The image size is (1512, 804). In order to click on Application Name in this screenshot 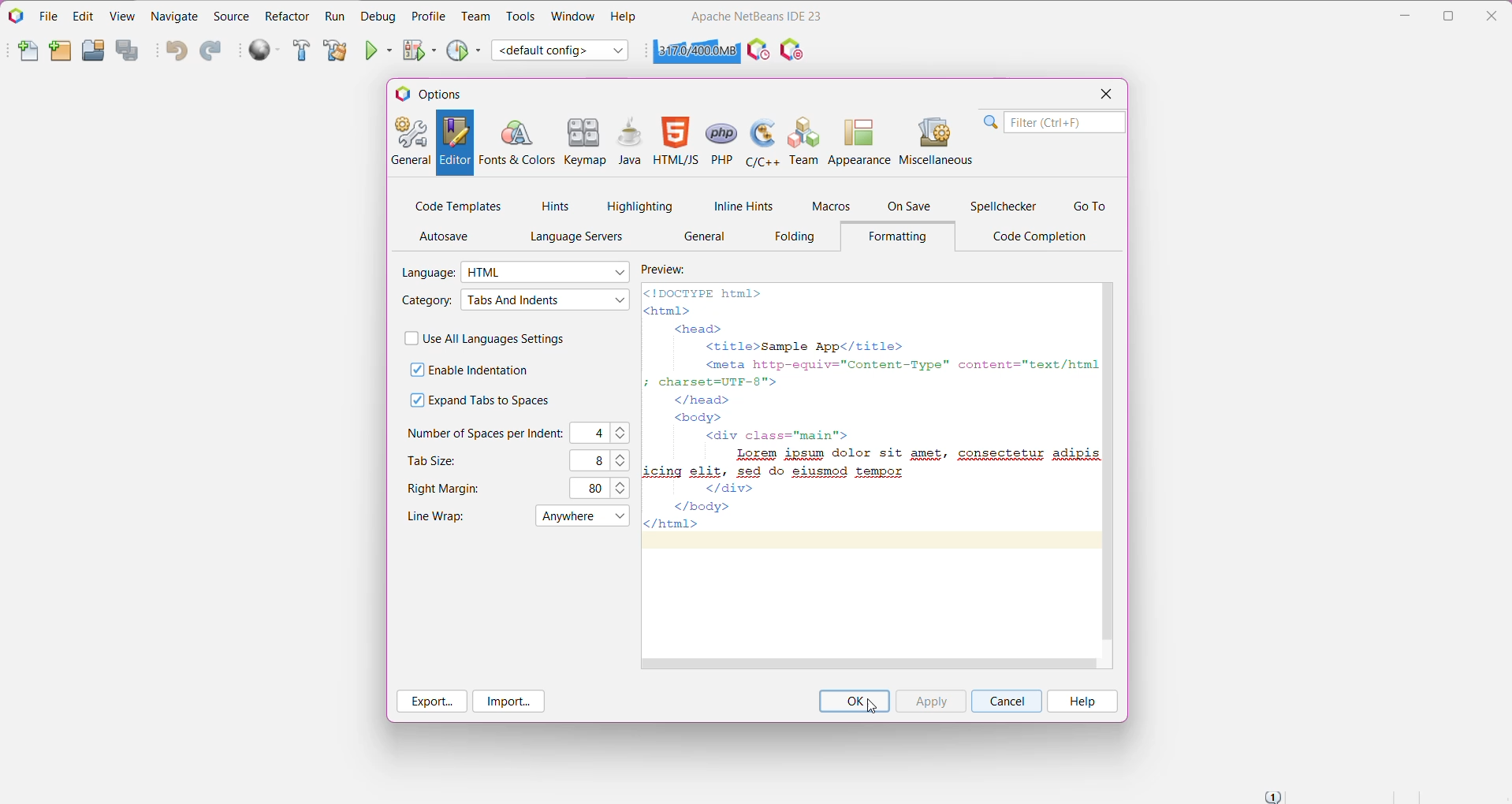, I will do `click(756, 16)`.